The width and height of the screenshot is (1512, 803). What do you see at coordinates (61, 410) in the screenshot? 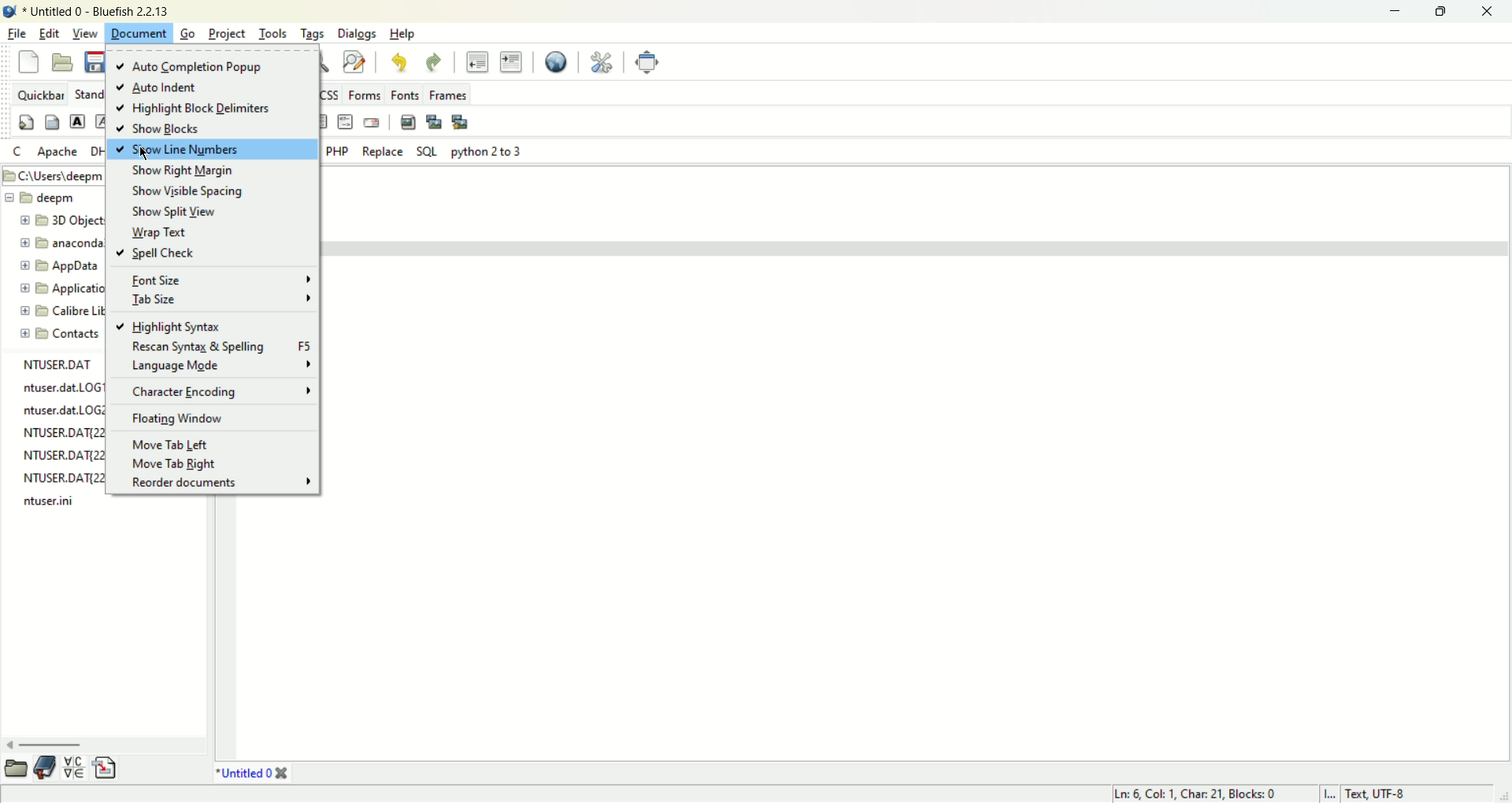
I see `ntuser.dat.LOG` at bounding box center [61, 410].